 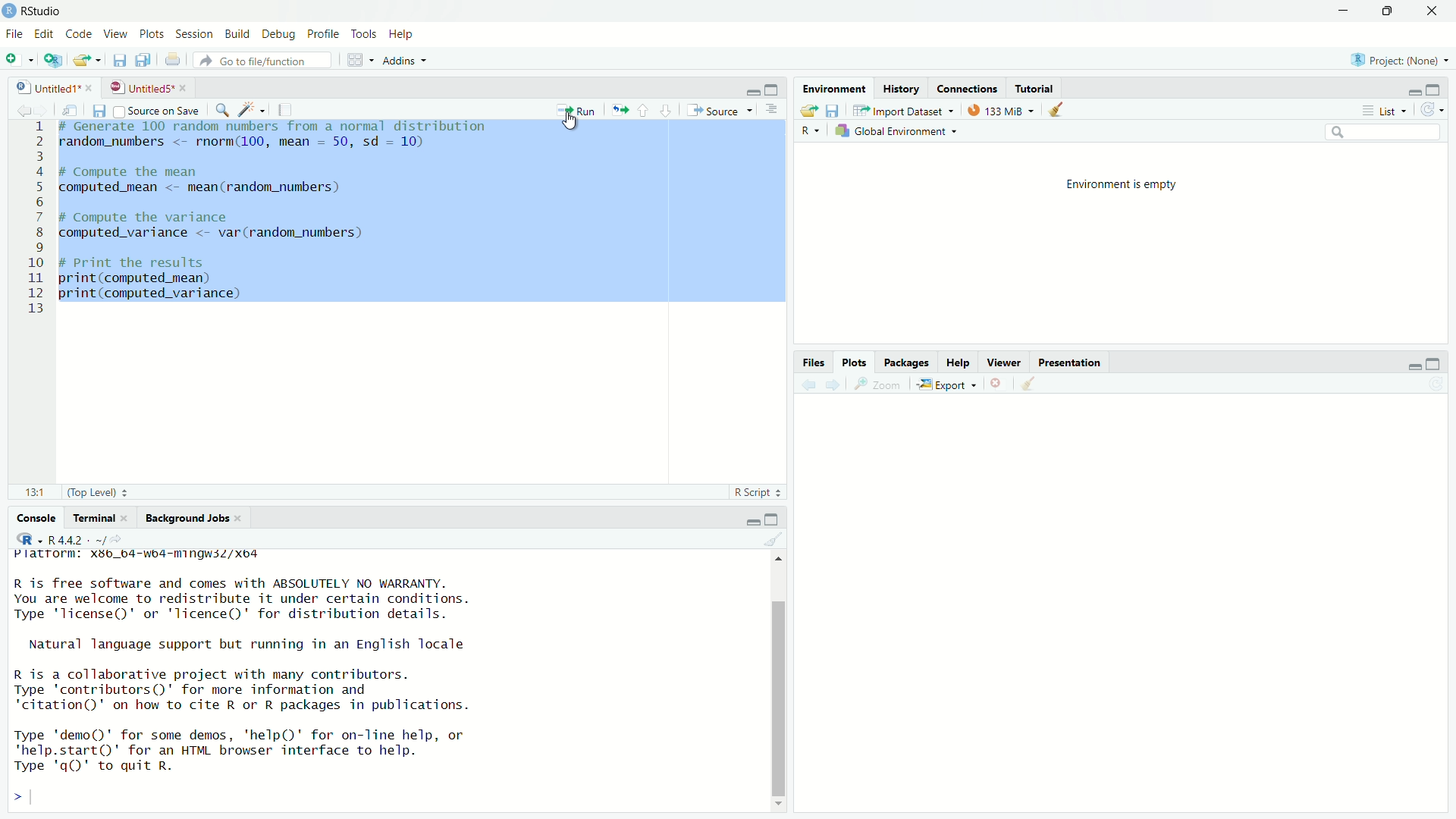 I want to click on remove the current plot, so click(x=997, y=384).